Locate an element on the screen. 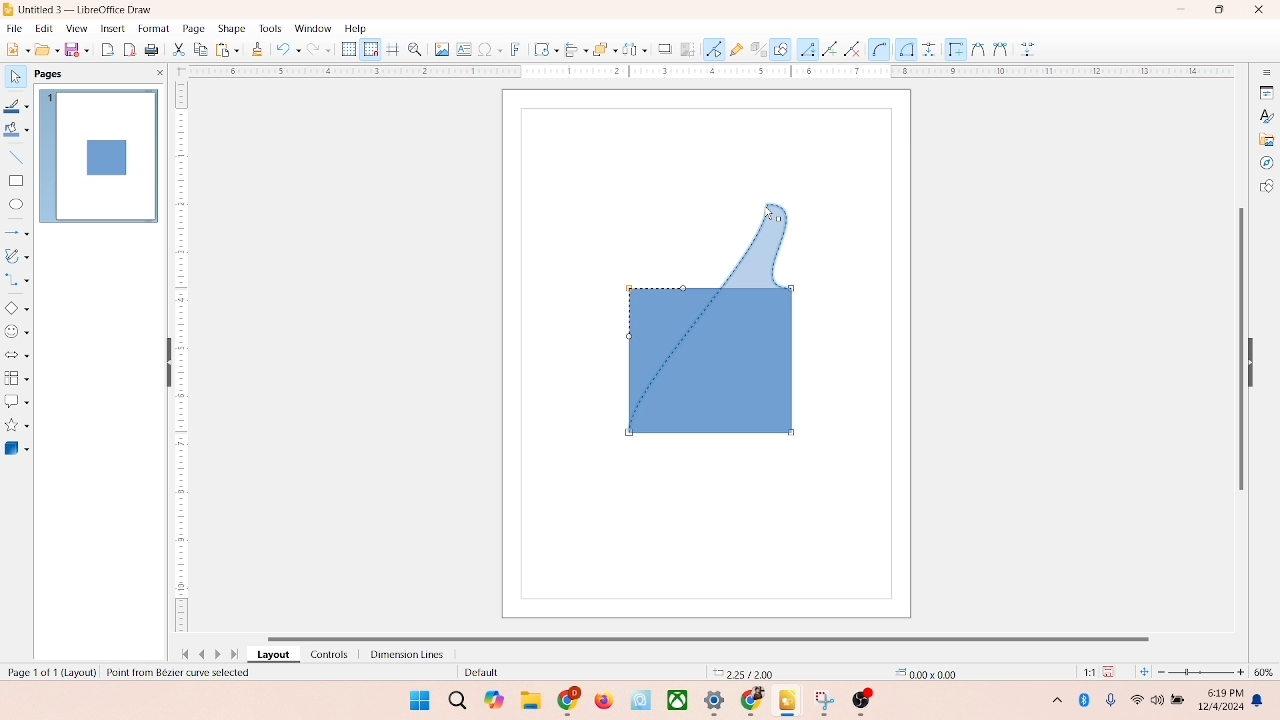 The width and height of the screenshot is (1280, 720). zoom factor is located at coordinates (1202, 672).